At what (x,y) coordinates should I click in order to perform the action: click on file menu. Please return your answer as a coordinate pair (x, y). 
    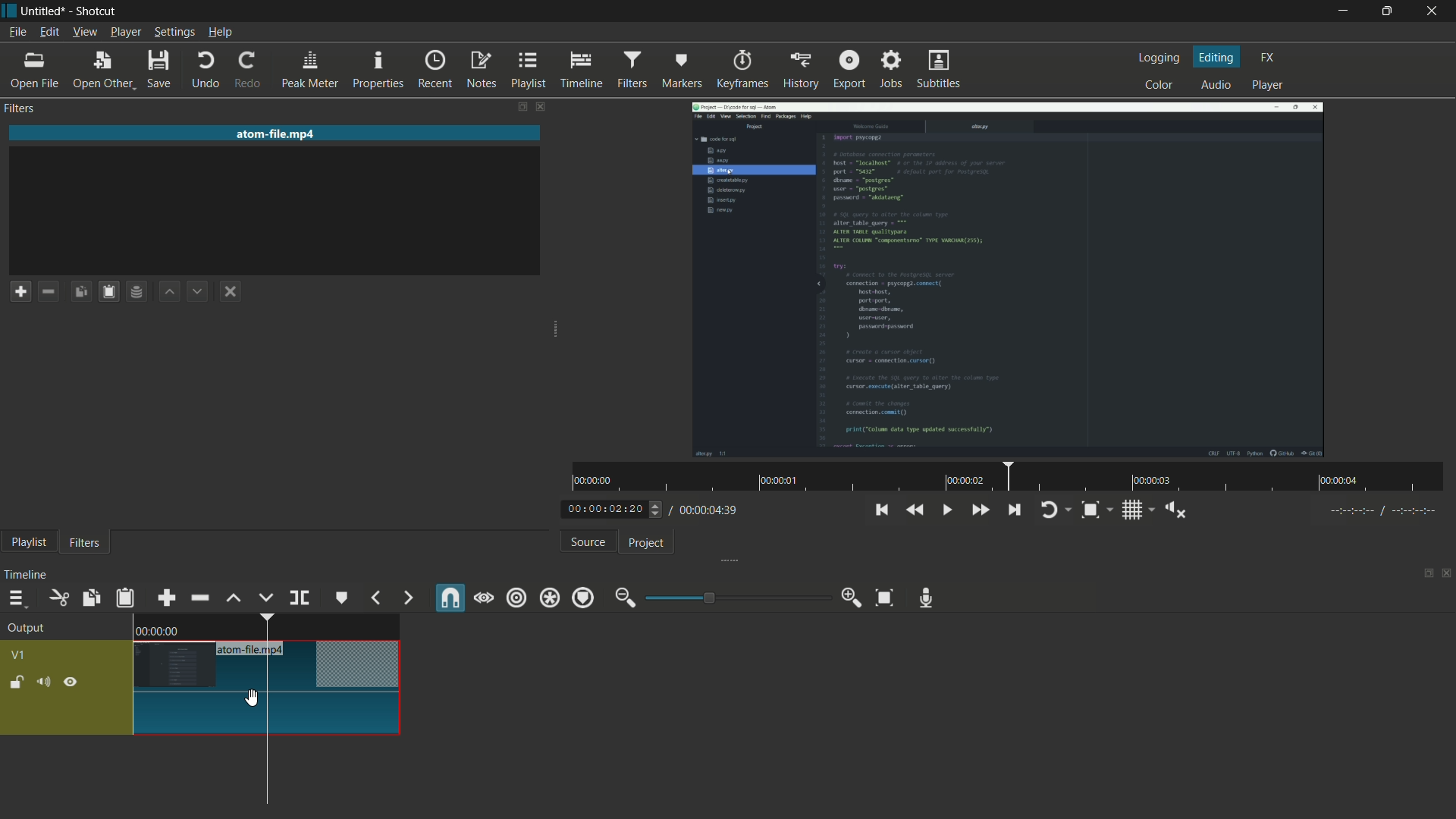
    Looking at the image, I should click on (18, 33).